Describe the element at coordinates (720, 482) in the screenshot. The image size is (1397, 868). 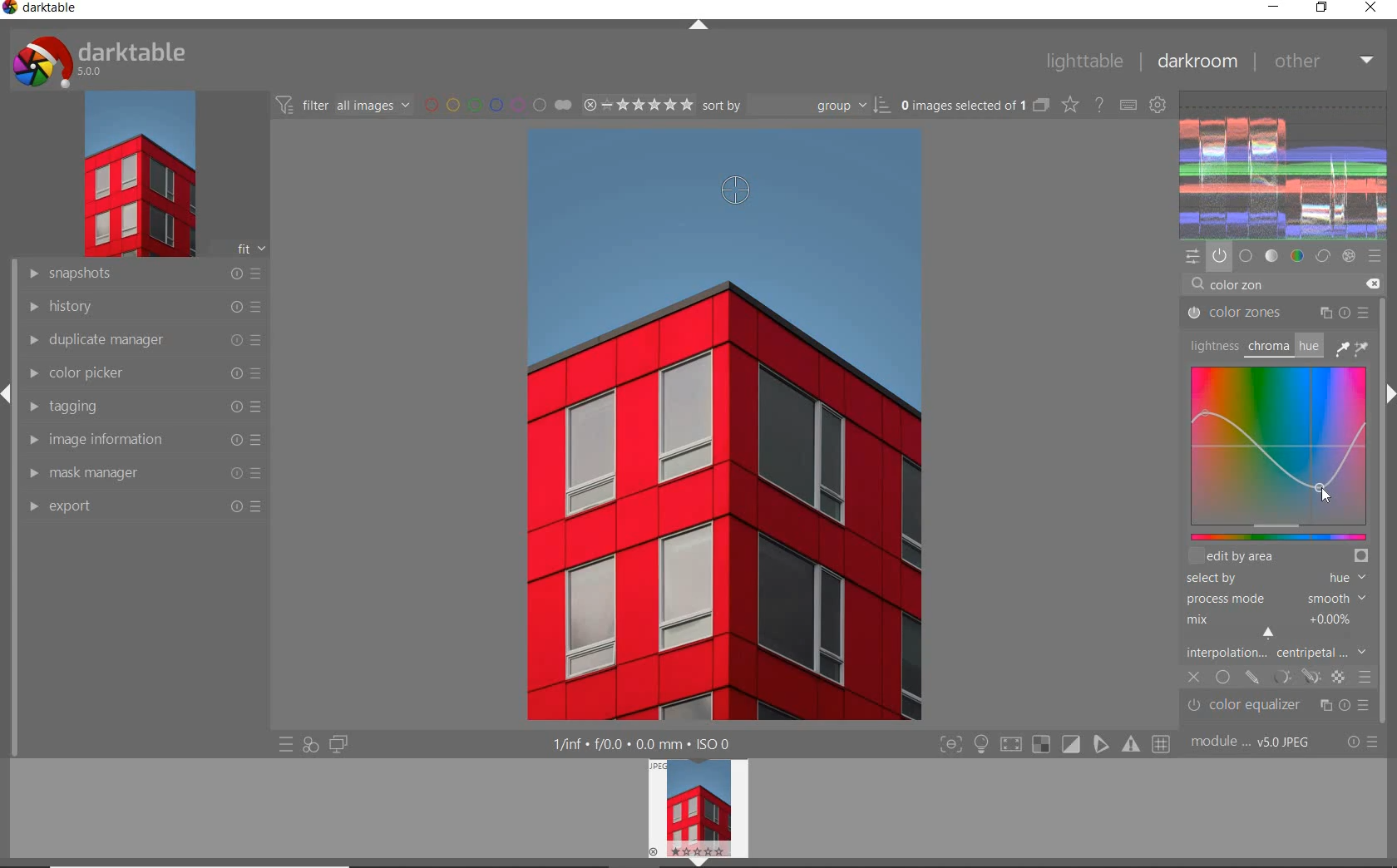
I see `selected image` at that location.